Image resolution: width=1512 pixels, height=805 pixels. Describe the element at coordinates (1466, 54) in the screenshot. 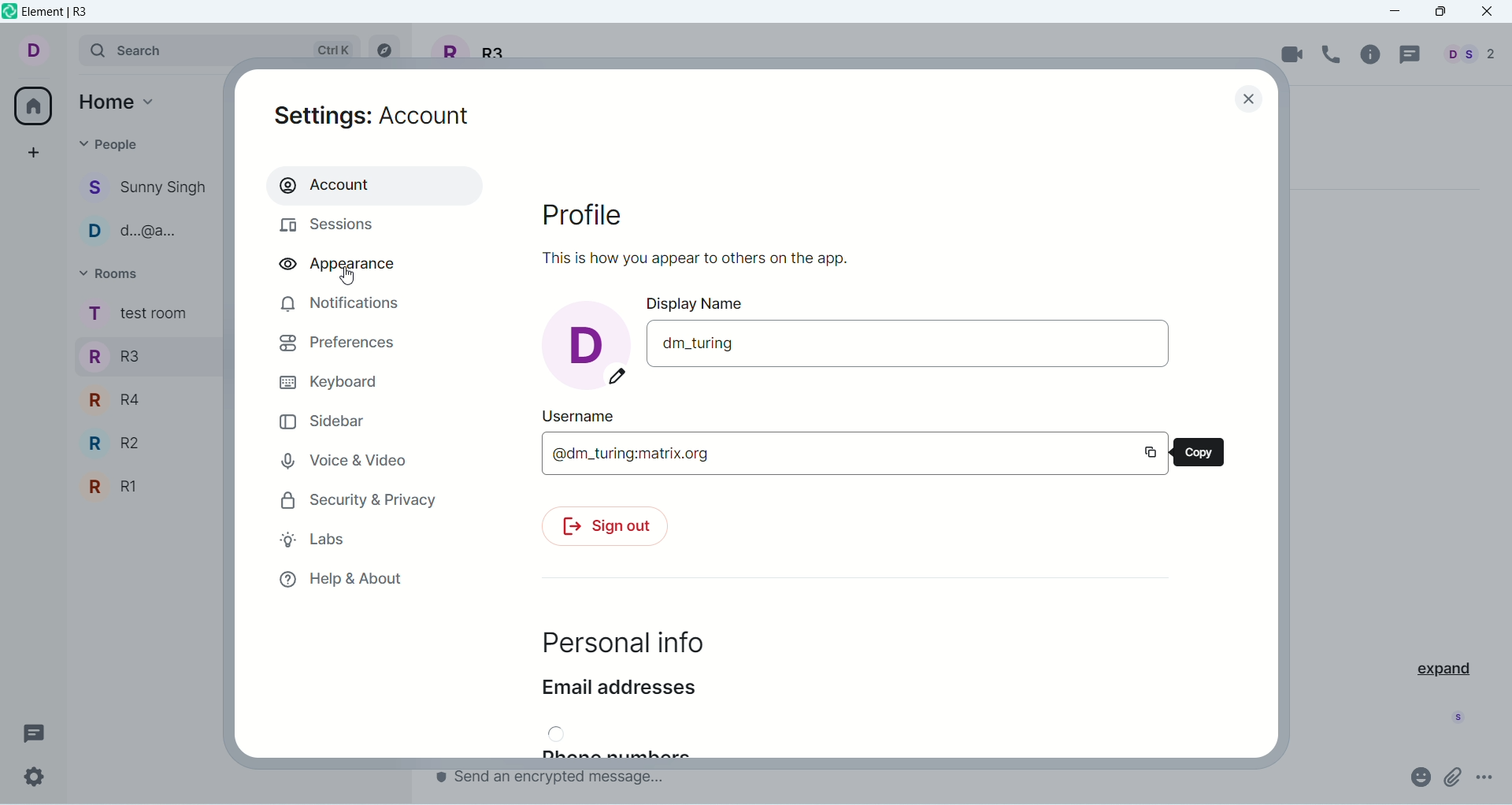

I see `people` at that location.